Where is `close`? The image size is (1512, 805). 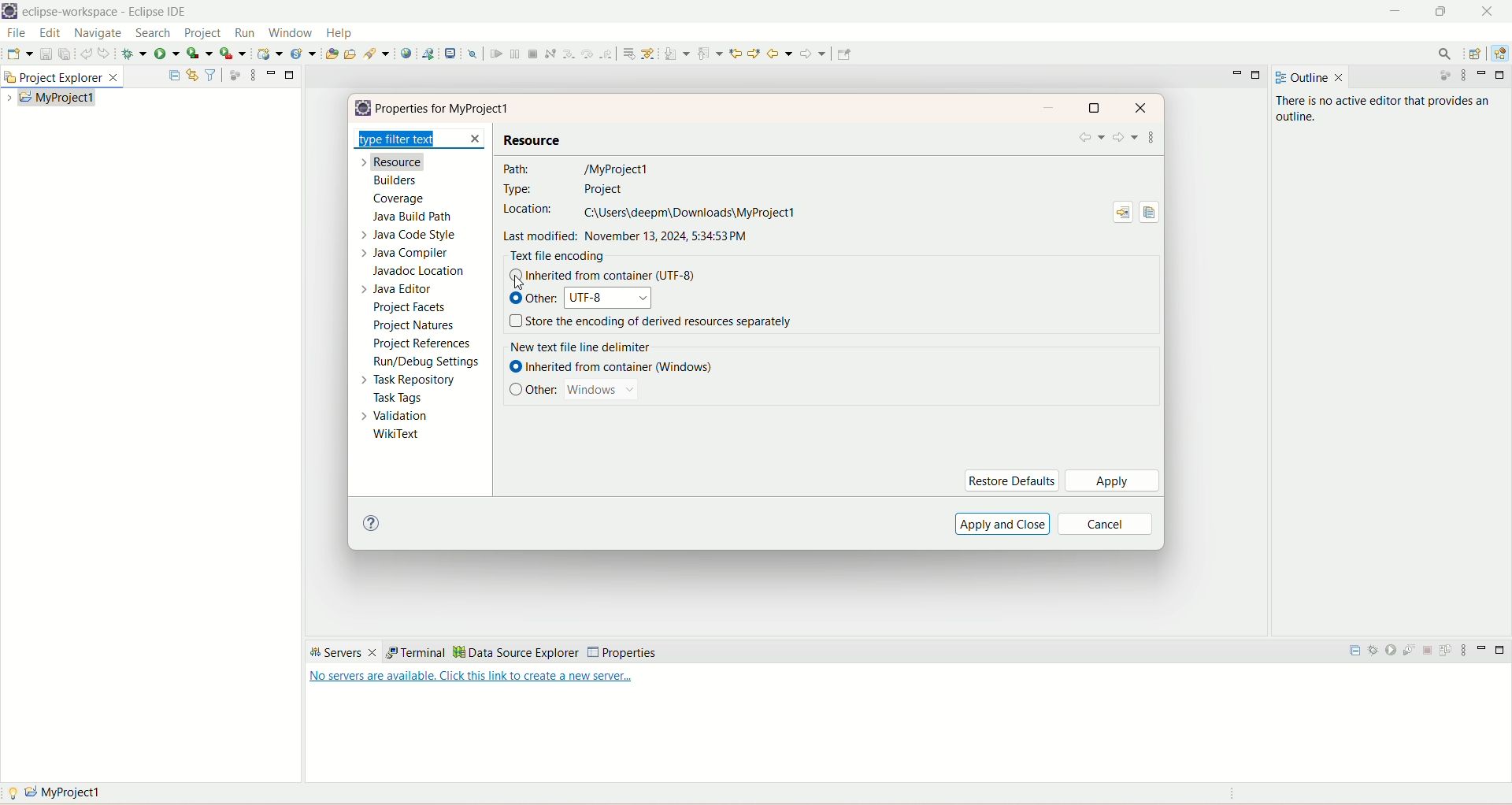 close is located at coordinates (1488, 12).